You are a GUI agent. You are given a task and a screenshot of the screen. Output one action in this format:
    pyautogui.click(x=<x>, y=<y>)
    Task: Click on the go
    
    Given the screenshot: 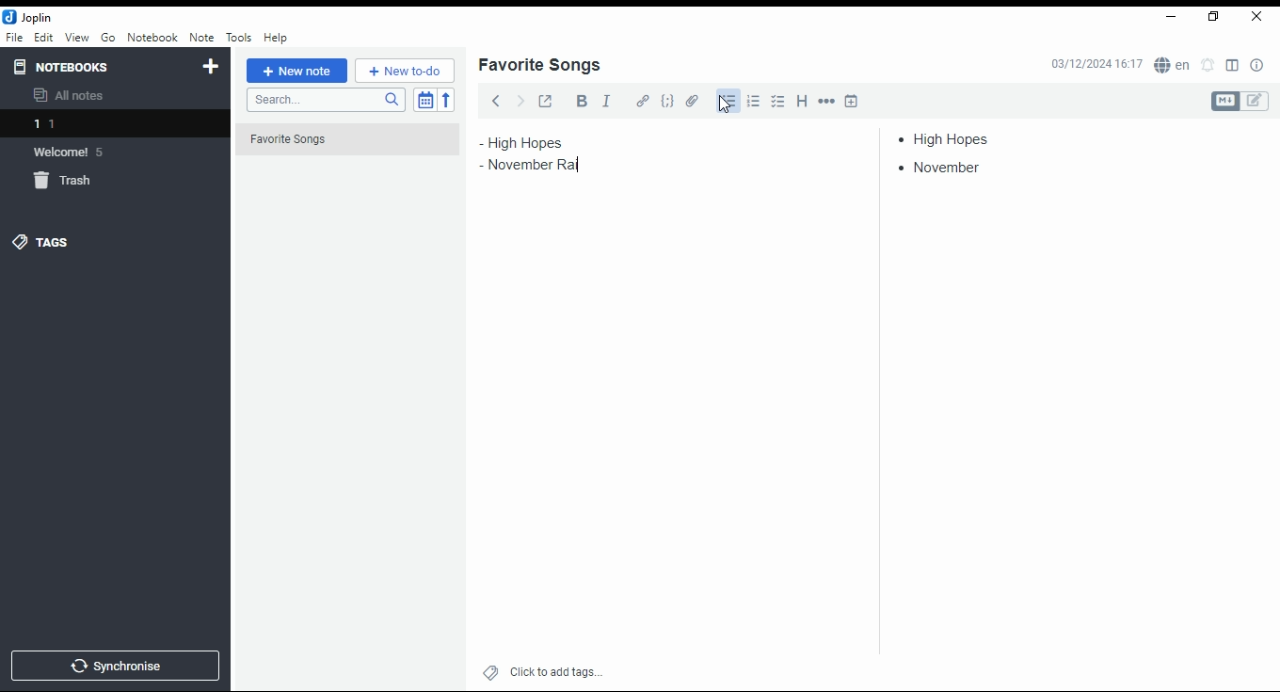 What is the action you would take?
    pyautogui.click(x=110, y=40)
    